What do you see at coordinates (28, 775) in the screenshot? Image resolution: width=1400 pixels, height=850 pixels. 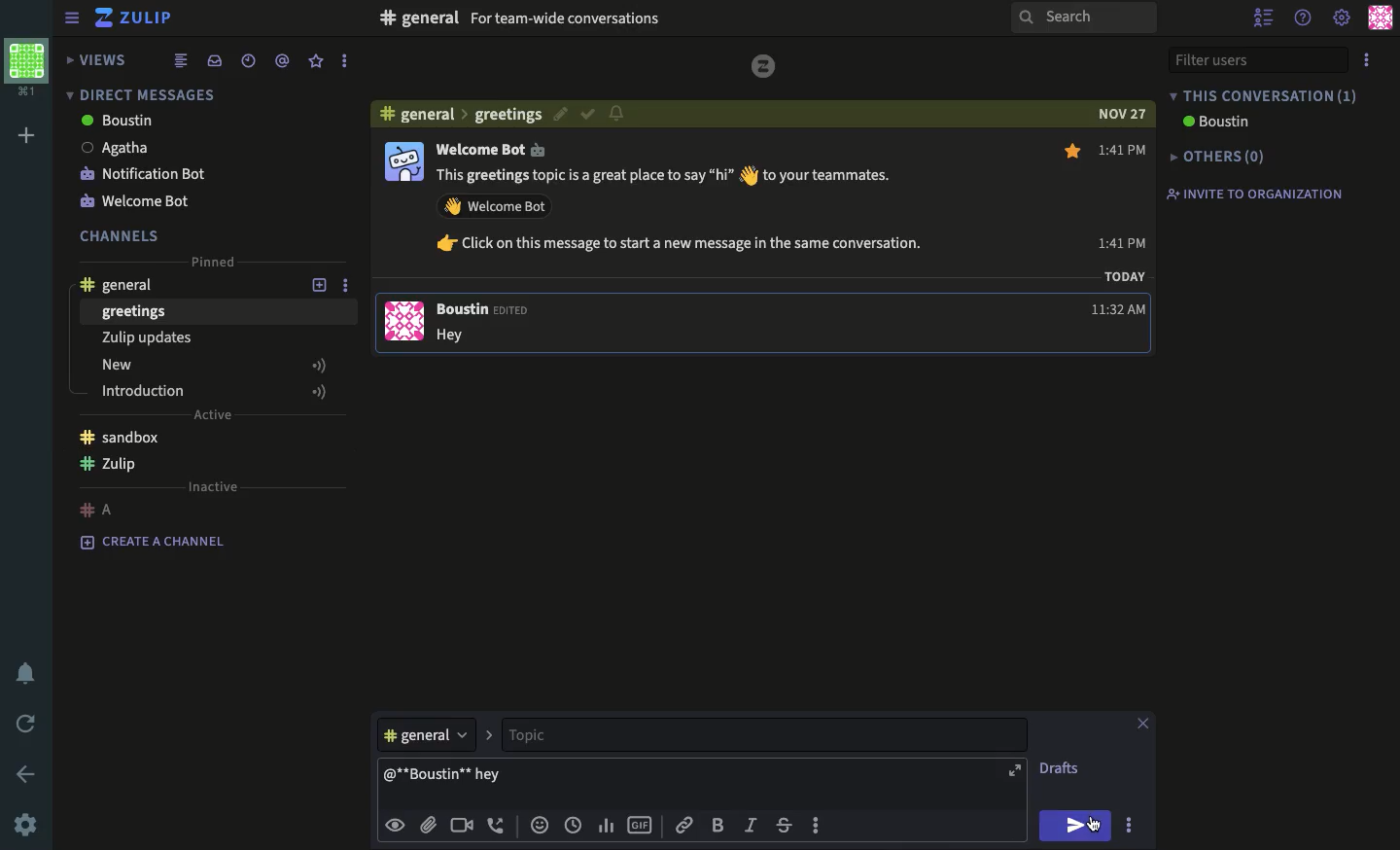 I see `back ` at bounding box center [28, 775].